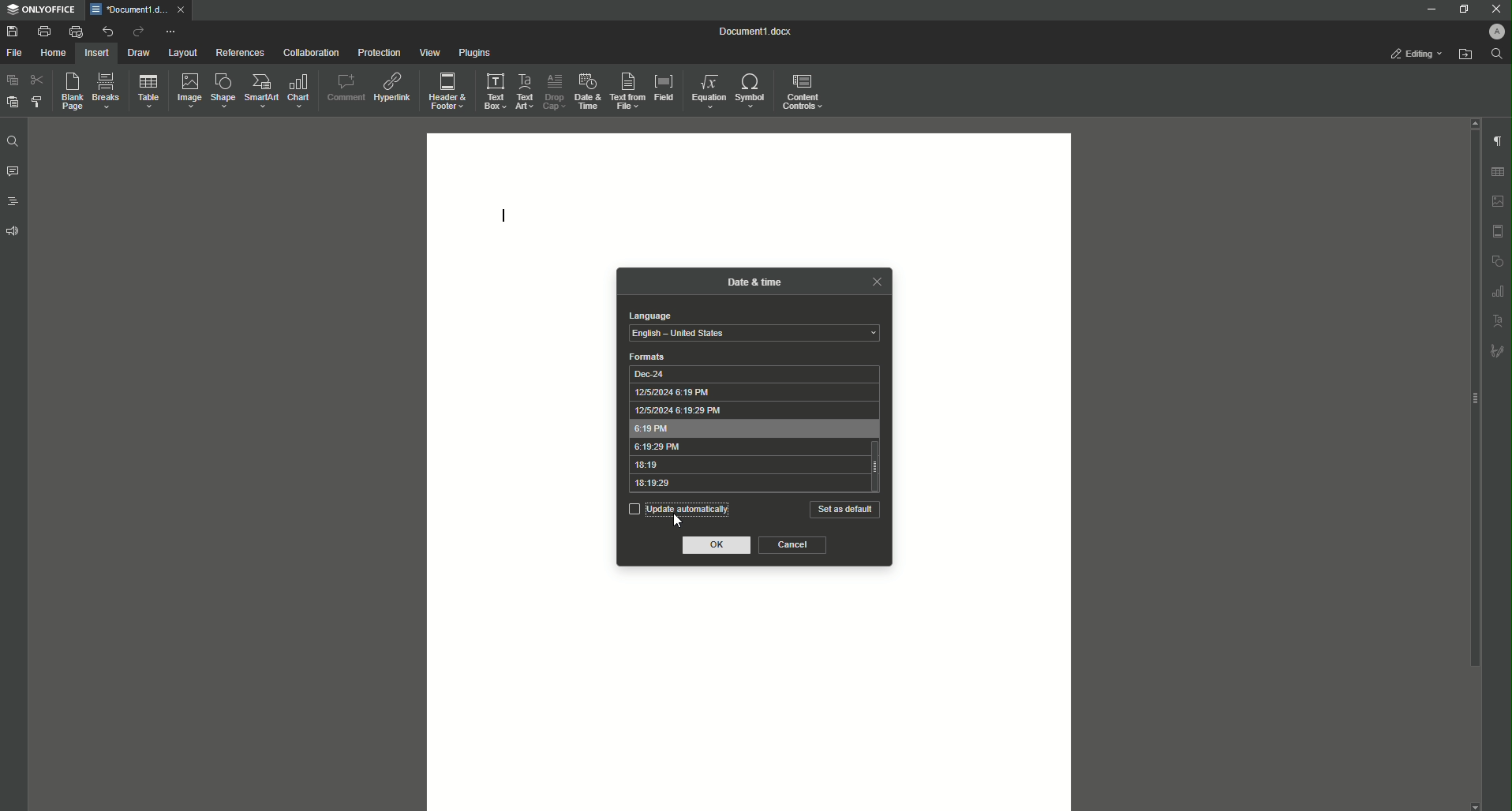 The width and height of the screenshot is (1512, 811). Describe the element at coordinates (12, 31) in the screenshot. I see `Save` at that location.